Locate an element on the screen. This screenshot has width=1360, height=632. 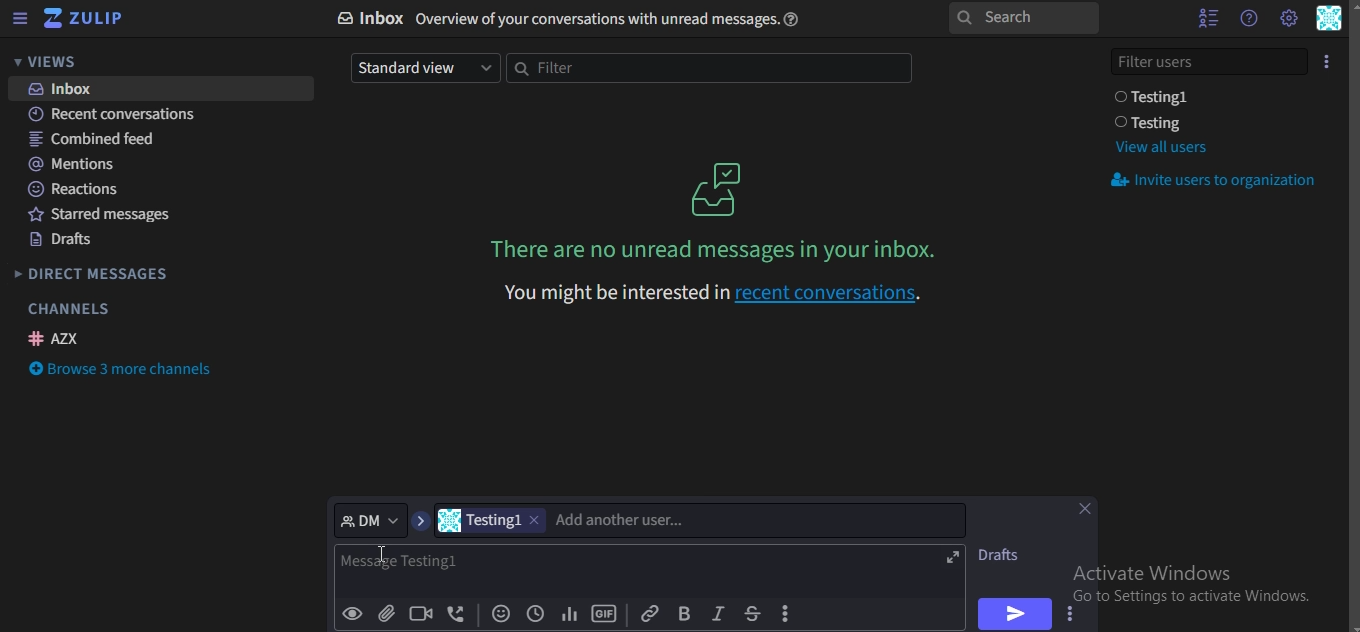
search is located at coordinates (1022, 19).